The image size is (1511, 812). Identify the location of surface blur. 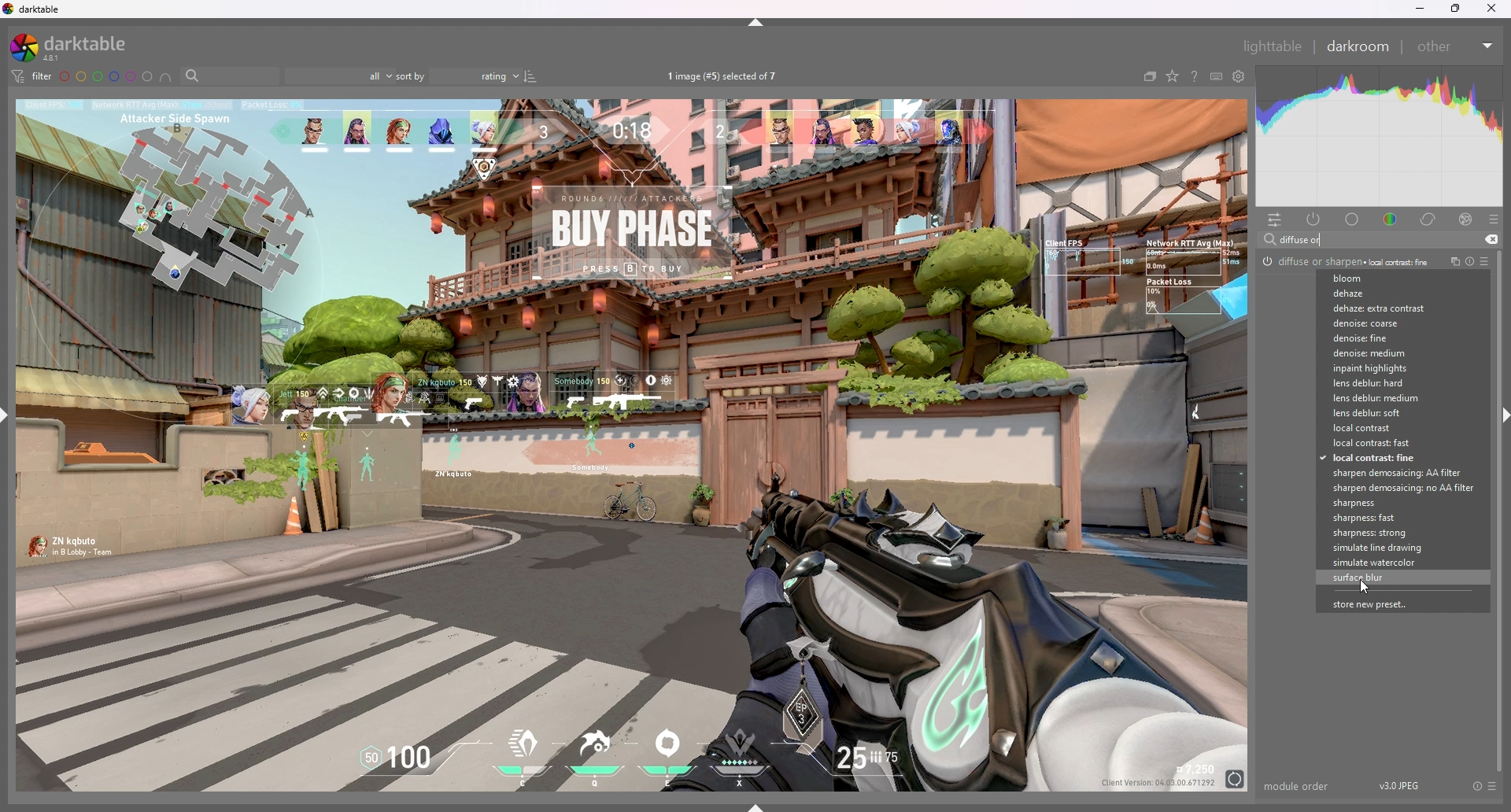
(1399, 578).